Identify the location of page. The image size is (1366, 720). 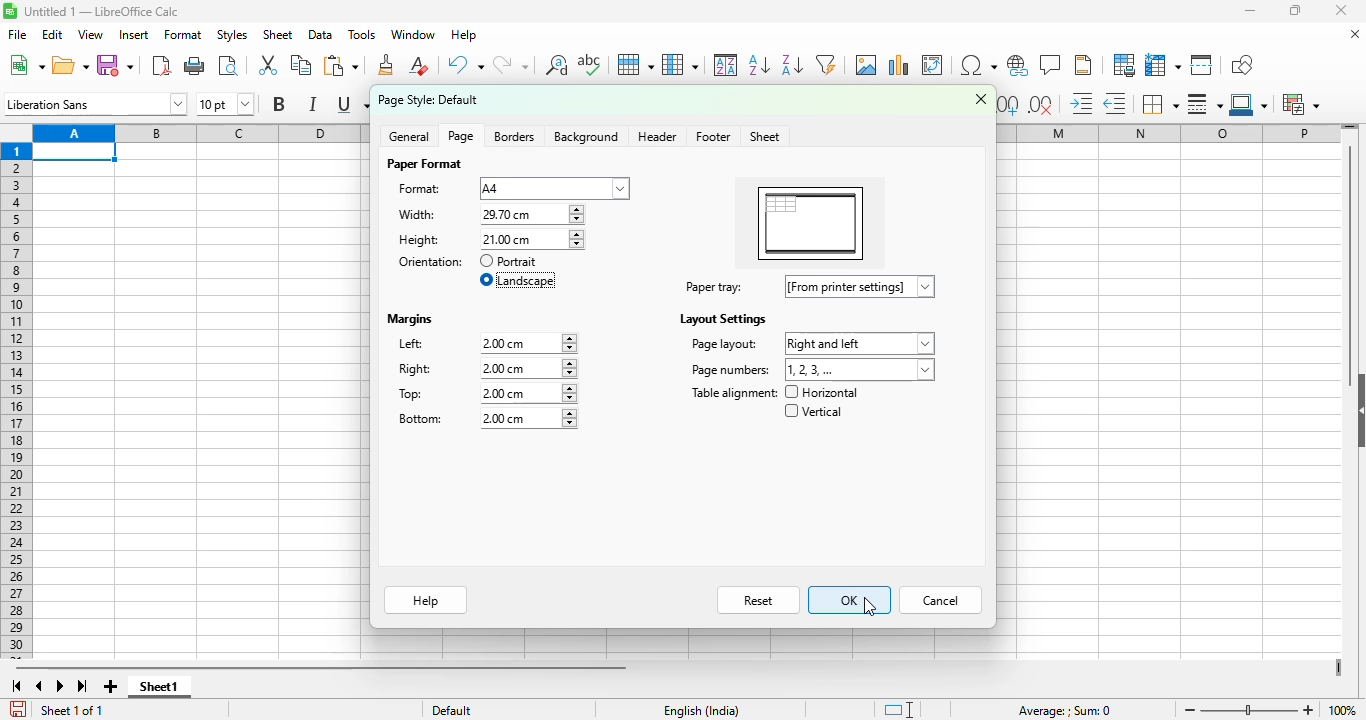
(461, 136).